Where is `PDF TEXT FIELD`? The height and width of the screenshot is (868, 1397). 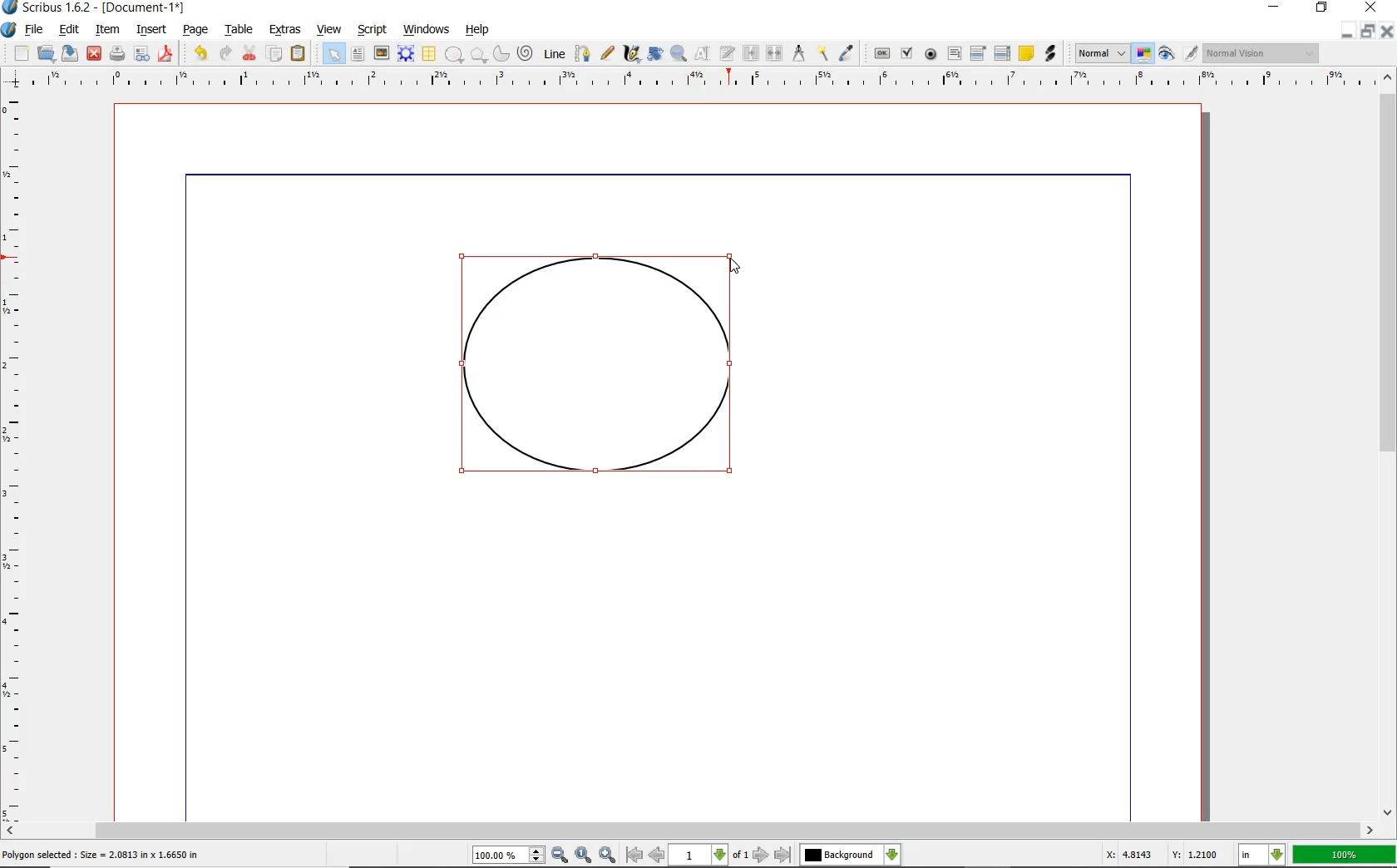 PDF TEXT FIELD is located at coordinates (954, 53).